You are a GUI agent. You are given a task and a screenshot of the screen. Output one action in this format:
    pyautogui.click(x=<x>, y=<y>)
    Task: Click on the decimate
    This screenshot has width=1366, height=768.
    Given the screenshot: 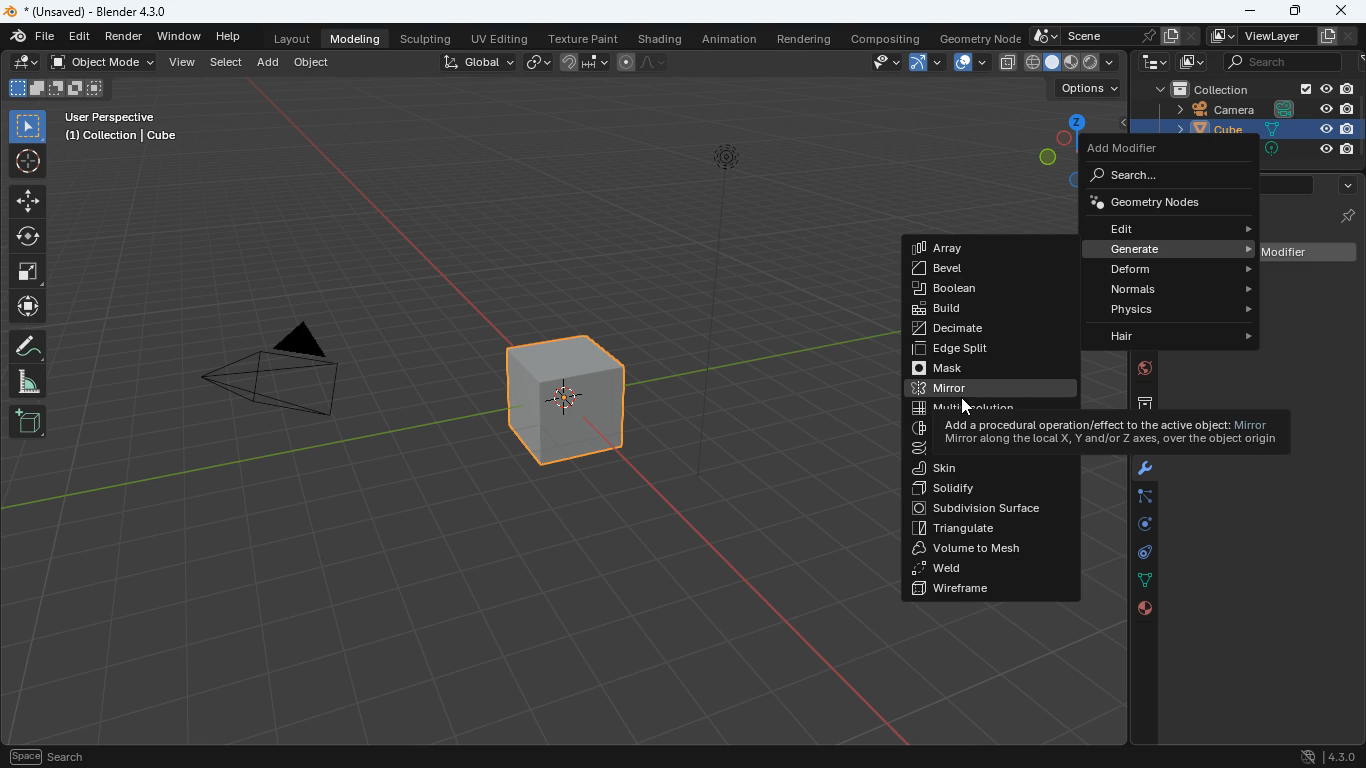 What is the action you would take?
    pyautogui.click(x=981, y=330)
    